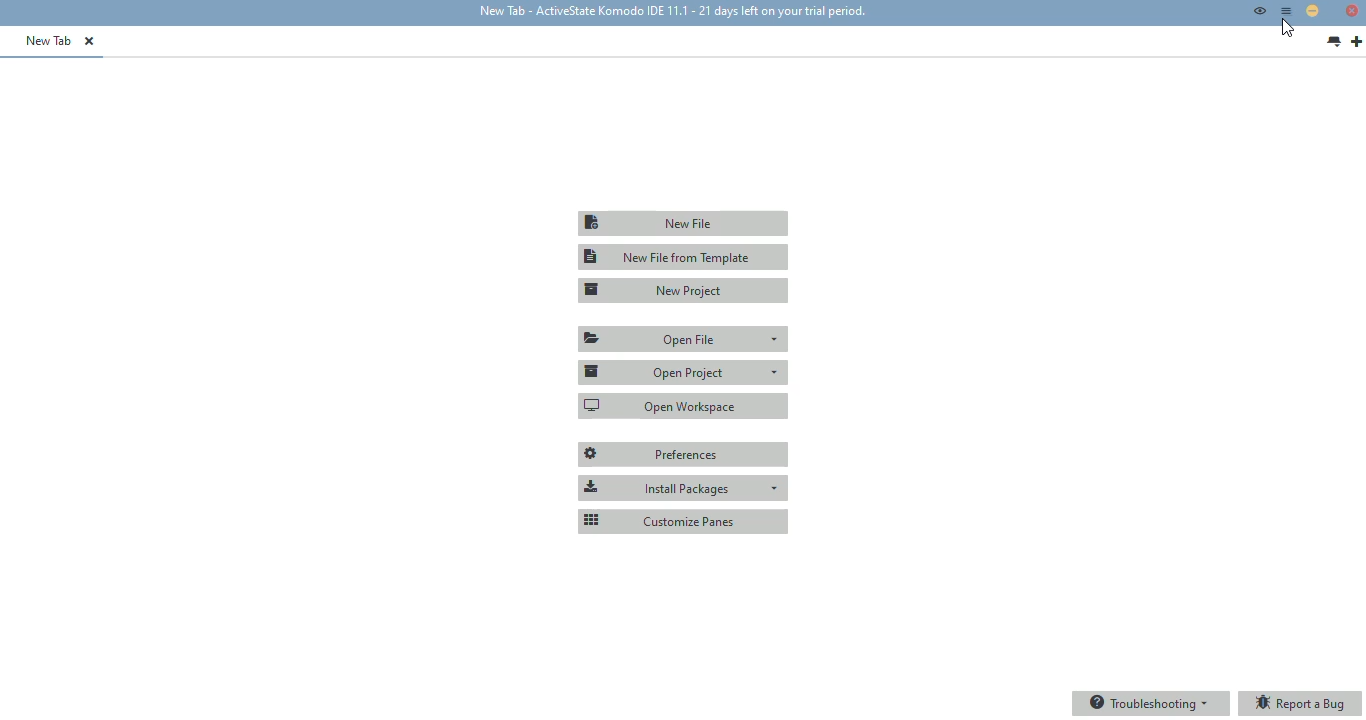 The image size is (1366, 720). Describe the element at coordinates (1352, 10) in the screenshot. I see `close` at that location.